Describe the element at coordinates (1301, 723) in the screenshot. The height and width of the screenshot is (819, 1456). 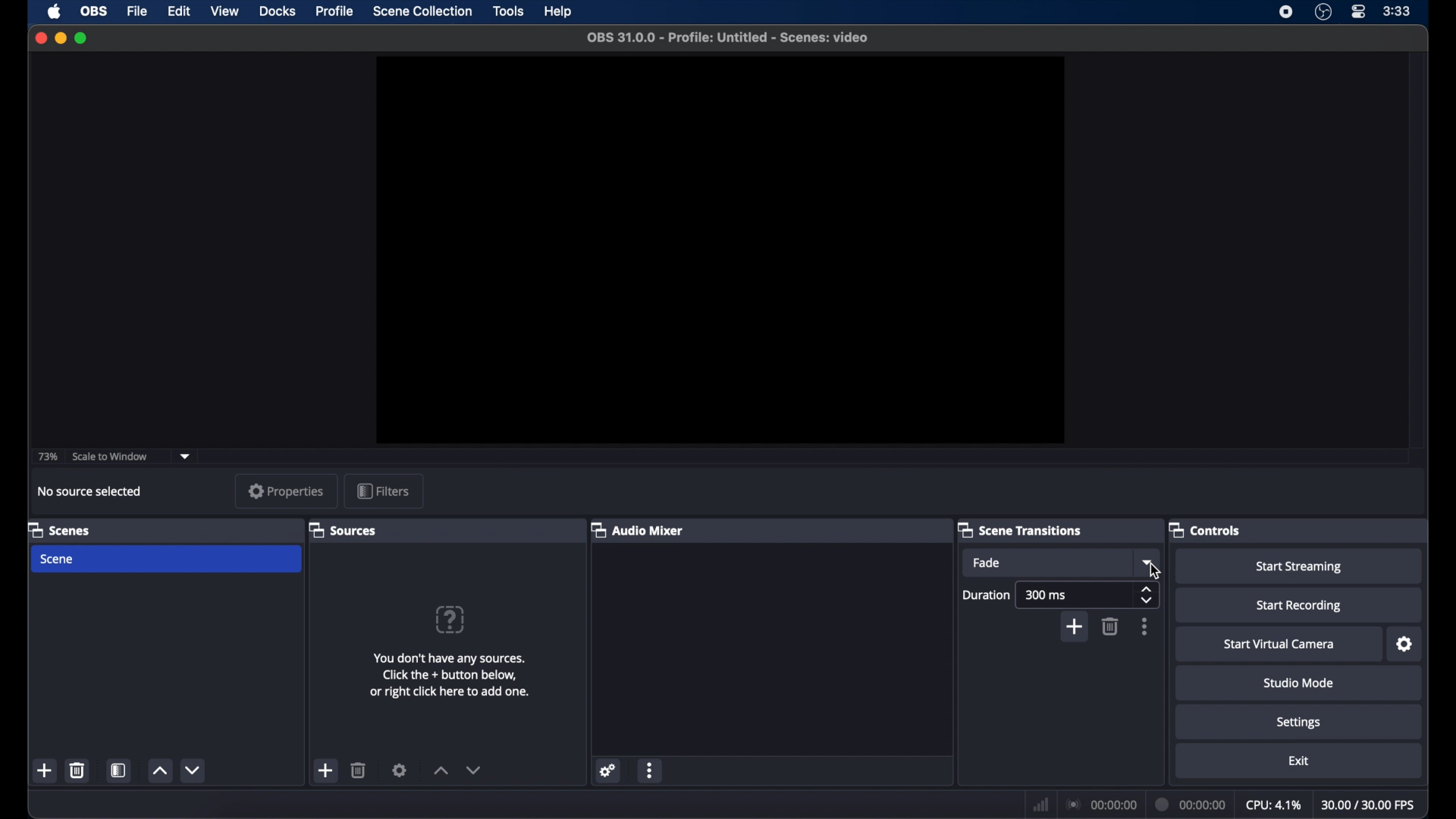
I see `settings` at that location.